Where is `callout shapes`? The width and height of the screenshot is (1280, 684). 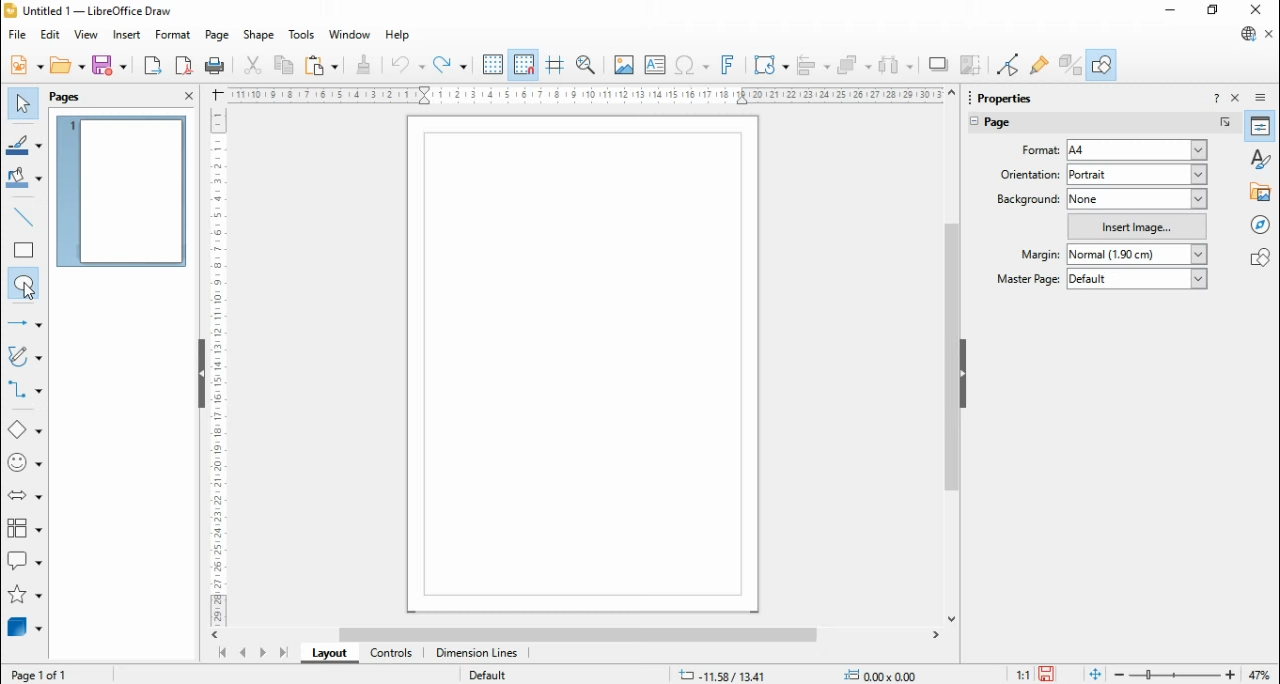
callout shapes is located at coordinates (26, 564).